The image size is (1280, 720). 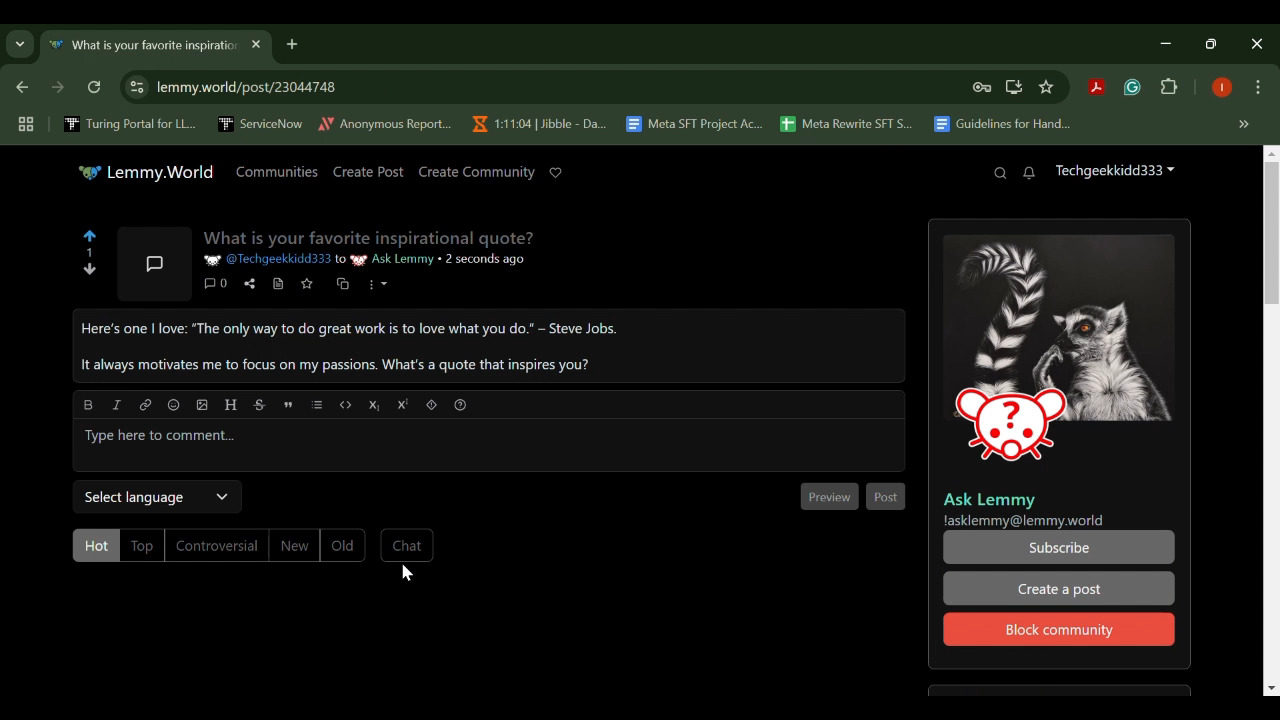 I want to click on Chat Button, so click(x=405, y=544).